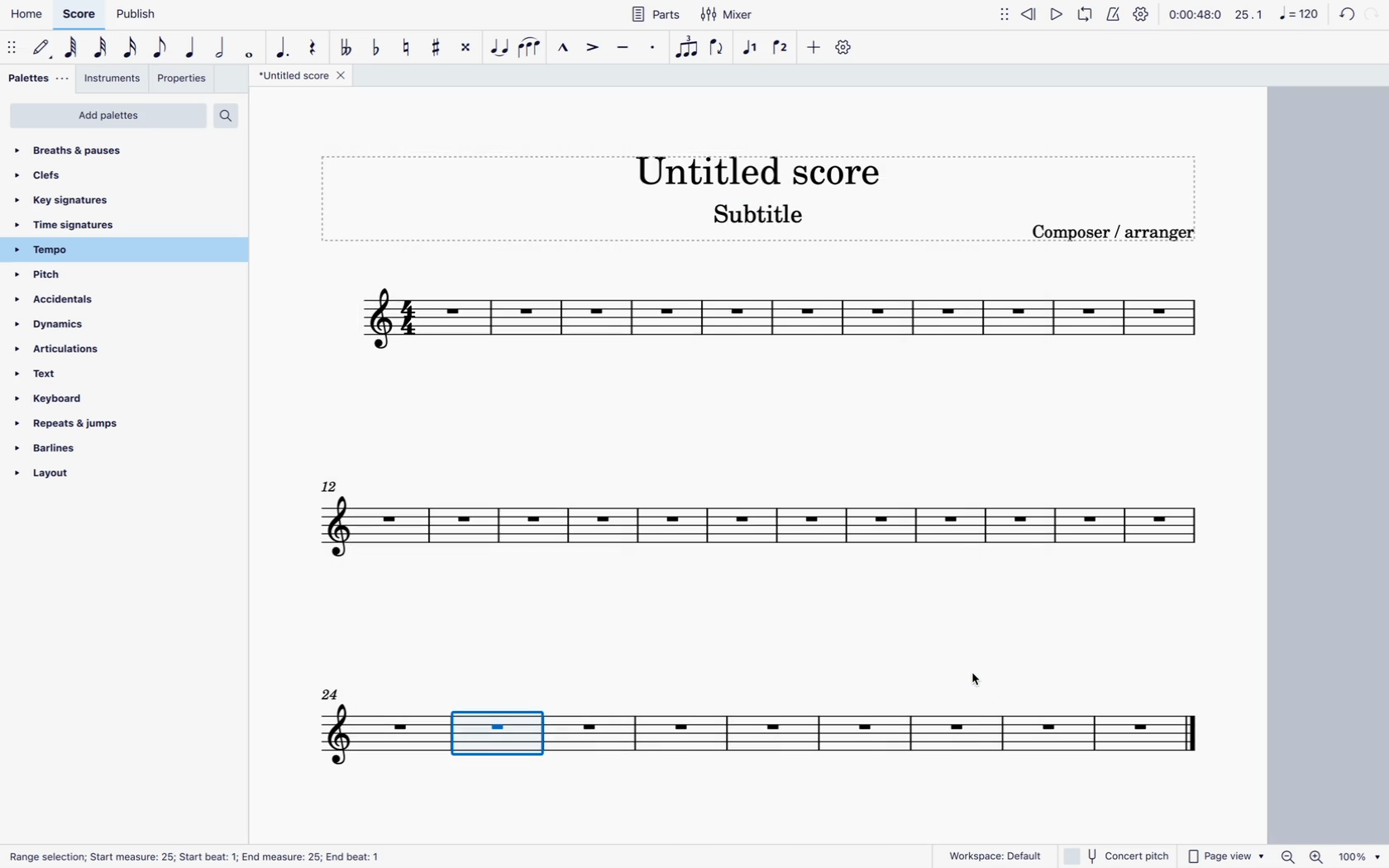 The width and height of the screenshot is (1389, 868). What do you see at coordinates (375, 48) in the screenshot?
I see `toggle flat` at bounding box center [375, 48].